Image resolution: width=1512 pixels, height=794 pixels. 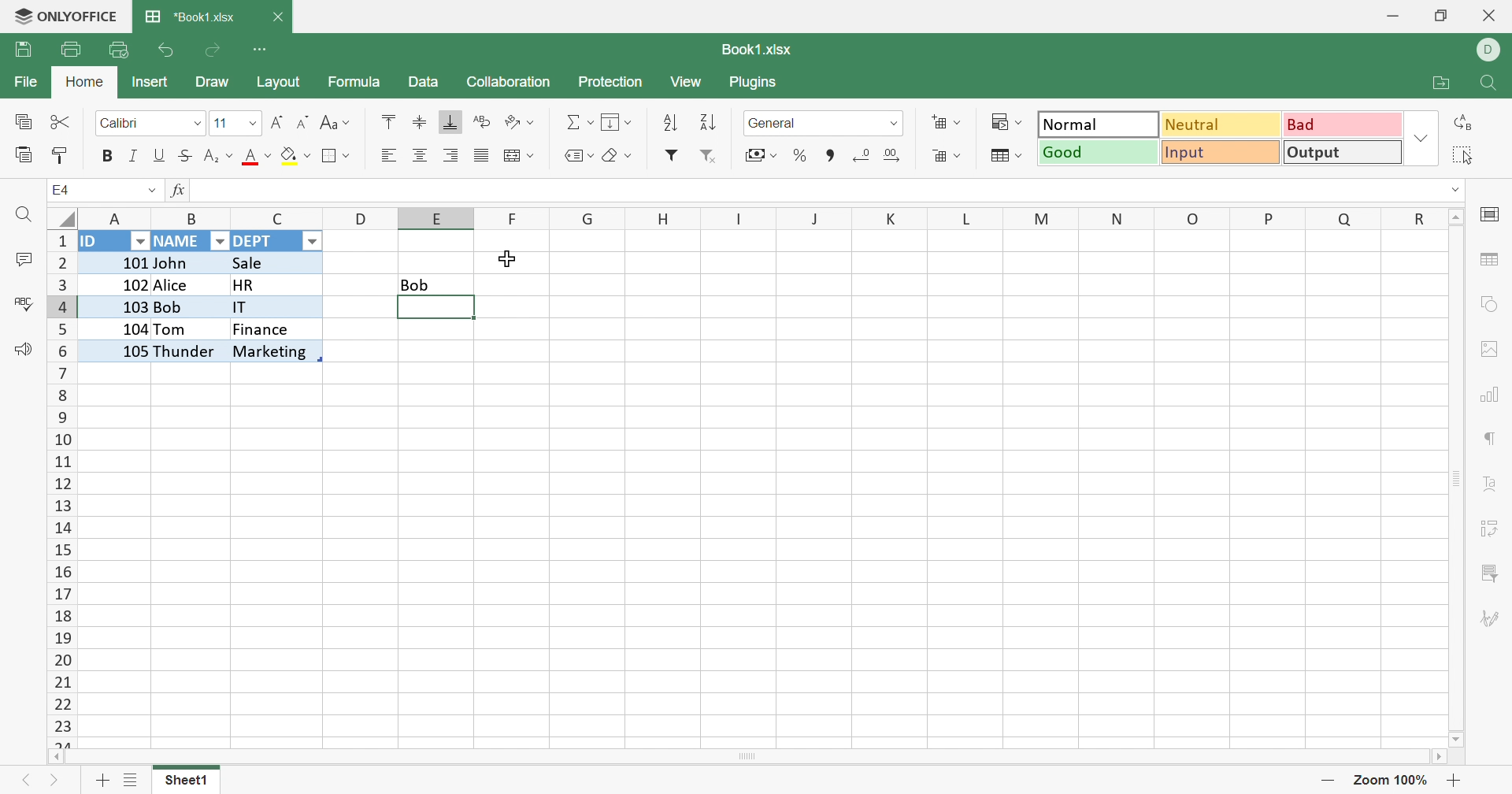 I want to click on Filter, so click(x=673, y=156).